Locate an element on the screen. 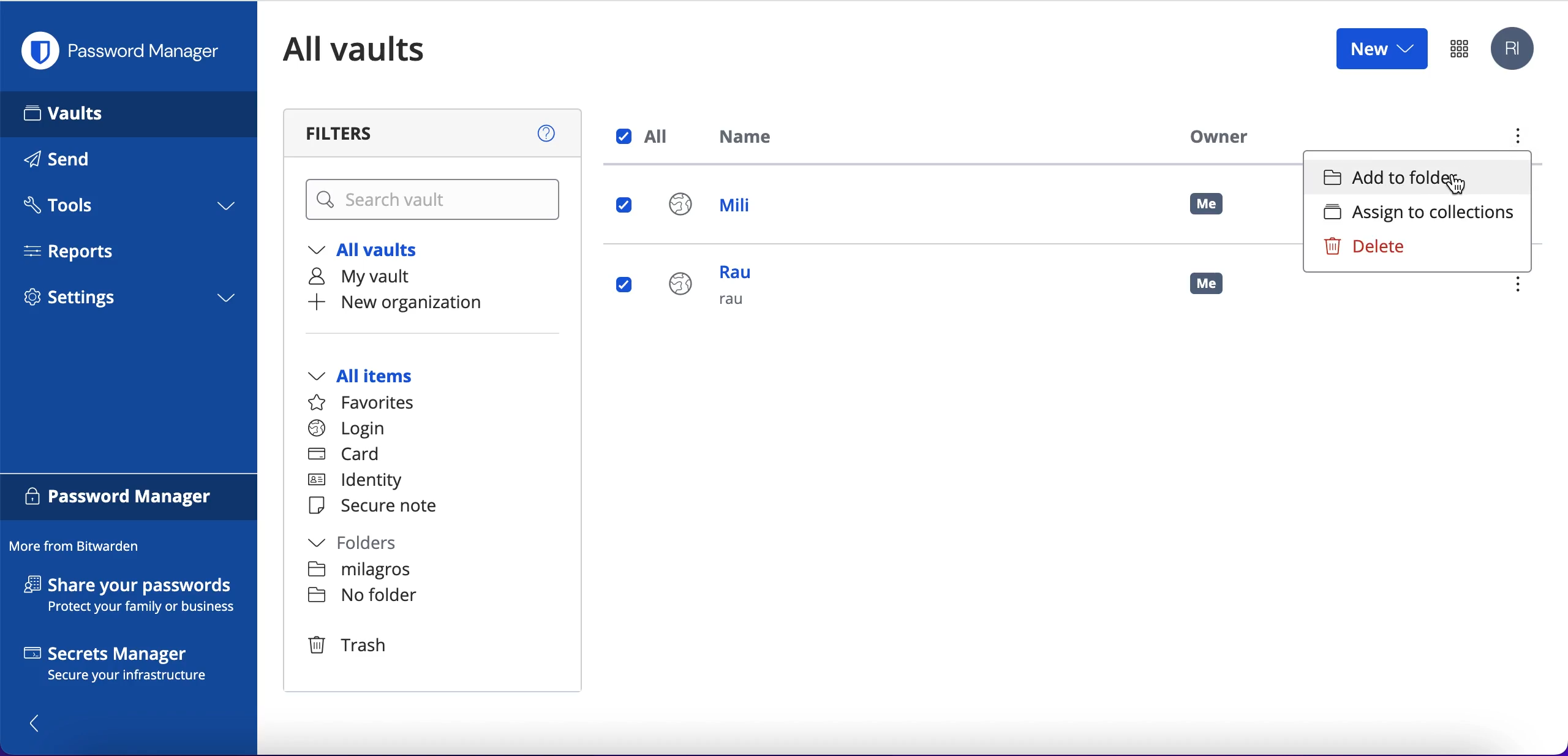  delete is located at coordinates (1390, 247).